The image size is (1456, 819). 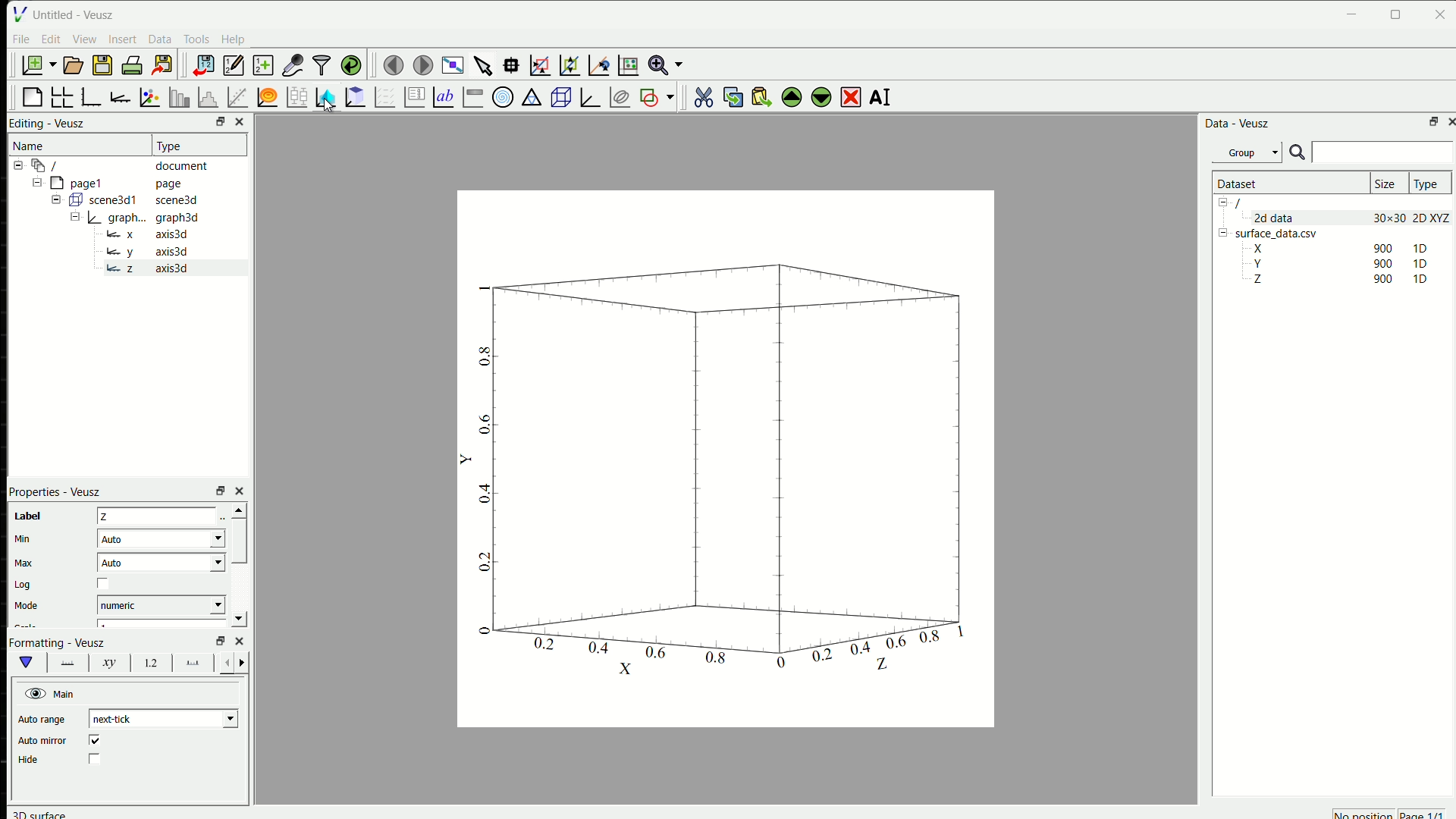 What do you see at coordinates (27, 605) in the screenshot?
I see `Mode` at bounding box center [27, 605].